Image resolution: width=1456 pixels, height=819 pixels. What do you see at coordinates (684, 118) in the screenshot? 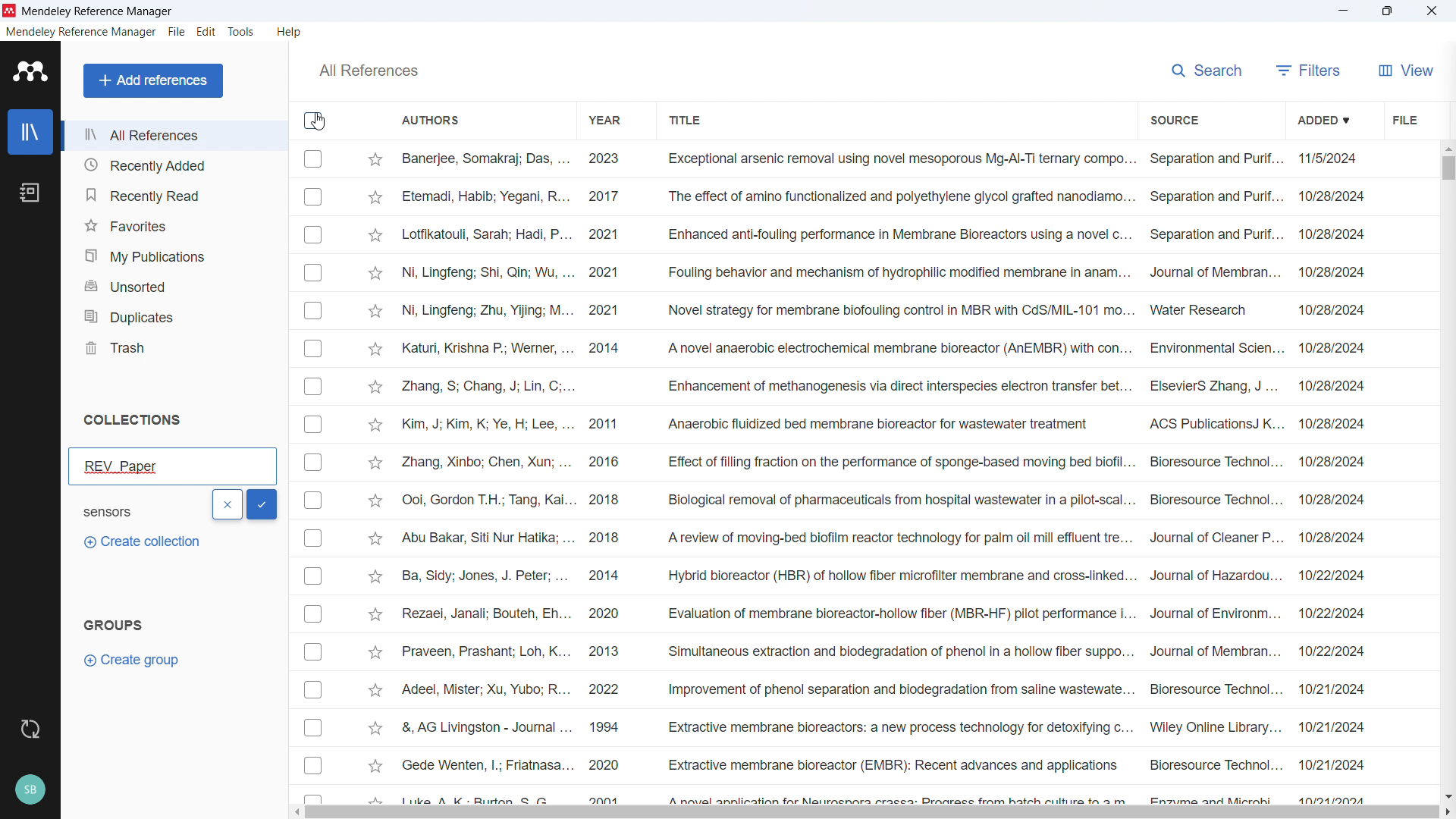
I see `Title` at bounding box center [684, 118].